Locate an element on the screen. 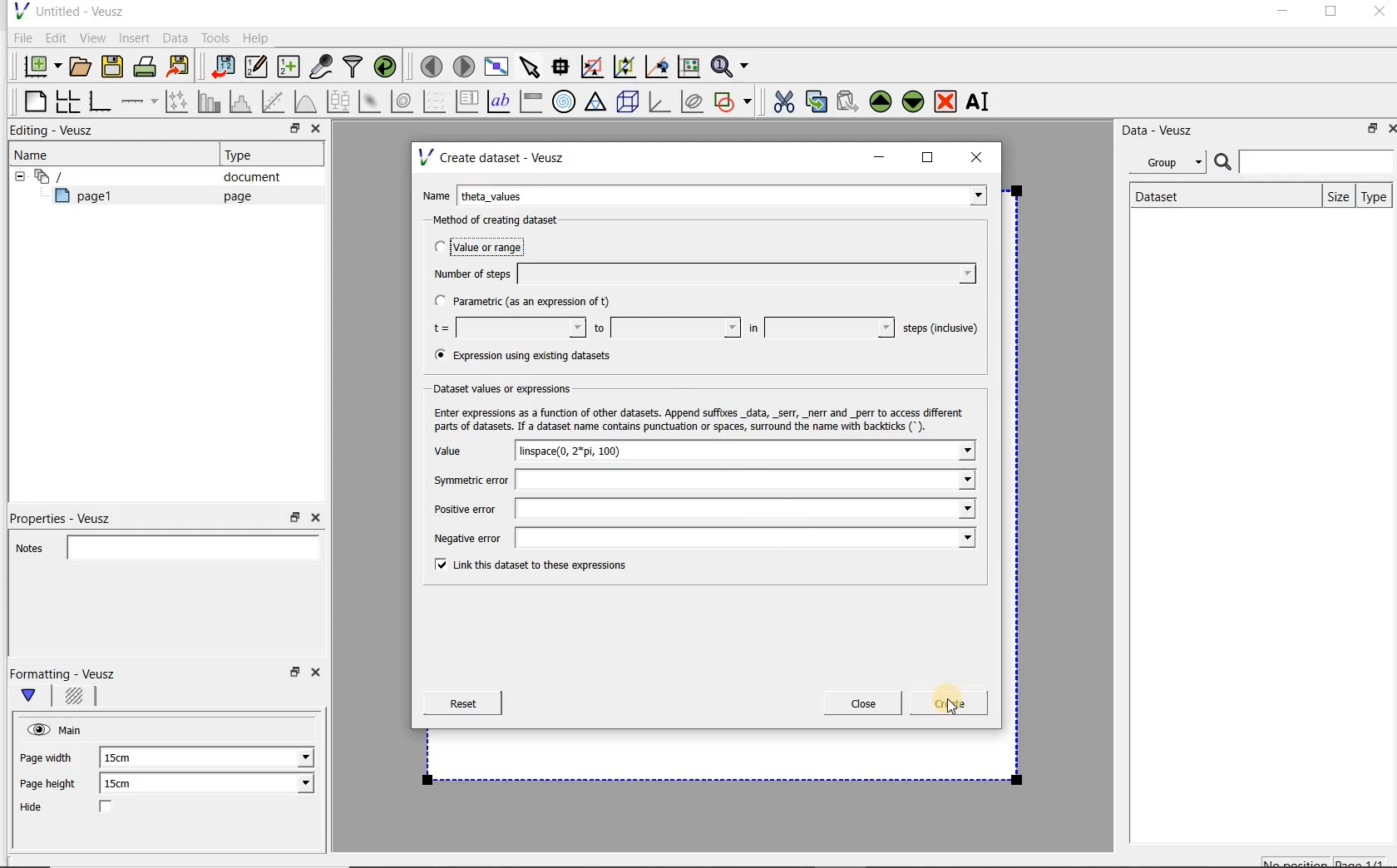 This screenshot has height=868, width=1397. page1 is located at coordinates (91, 199).